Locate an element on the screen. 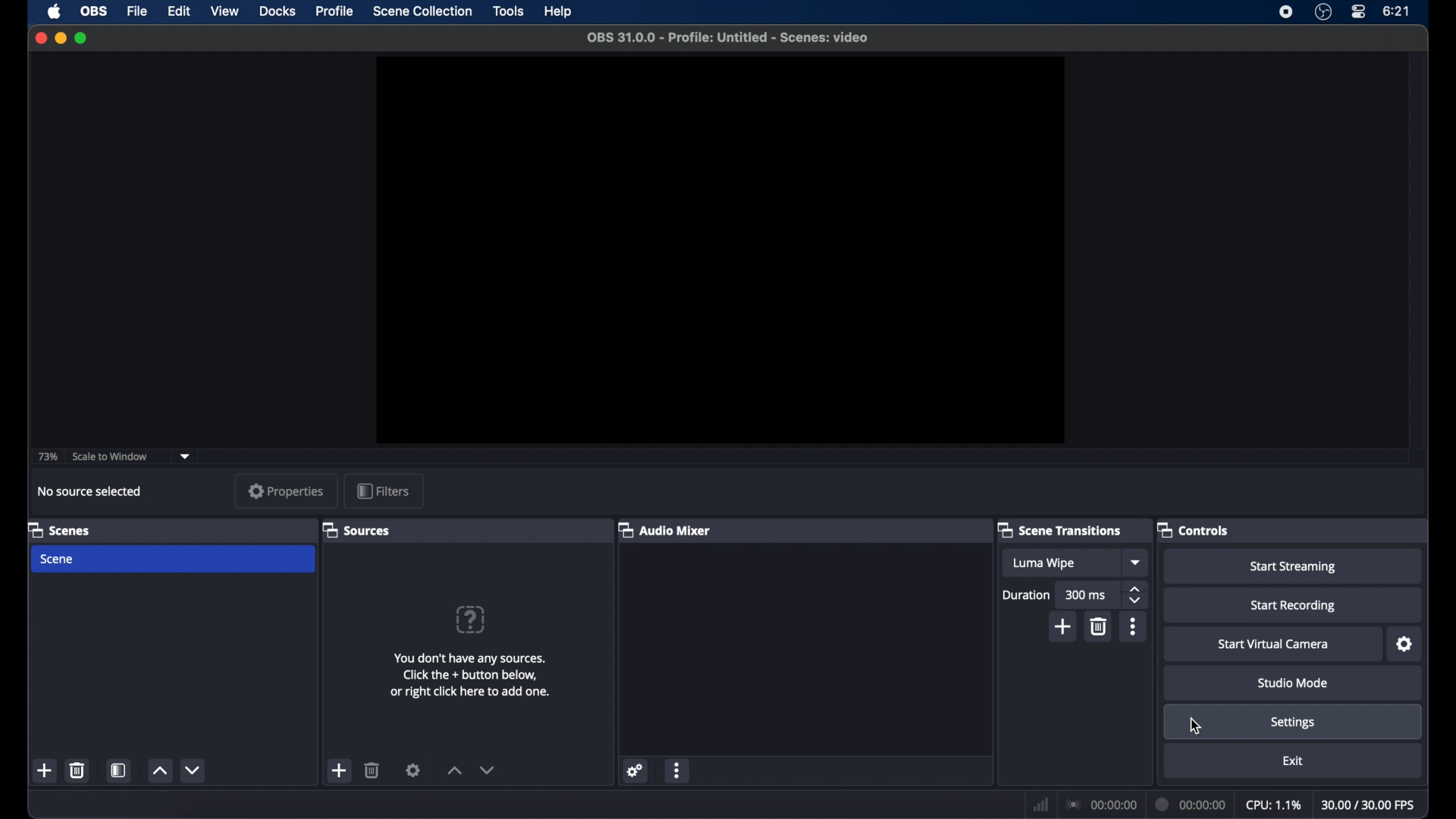 The width and height of the screenshot is (1456, 819). control center is located at coordinates (1357, 12).